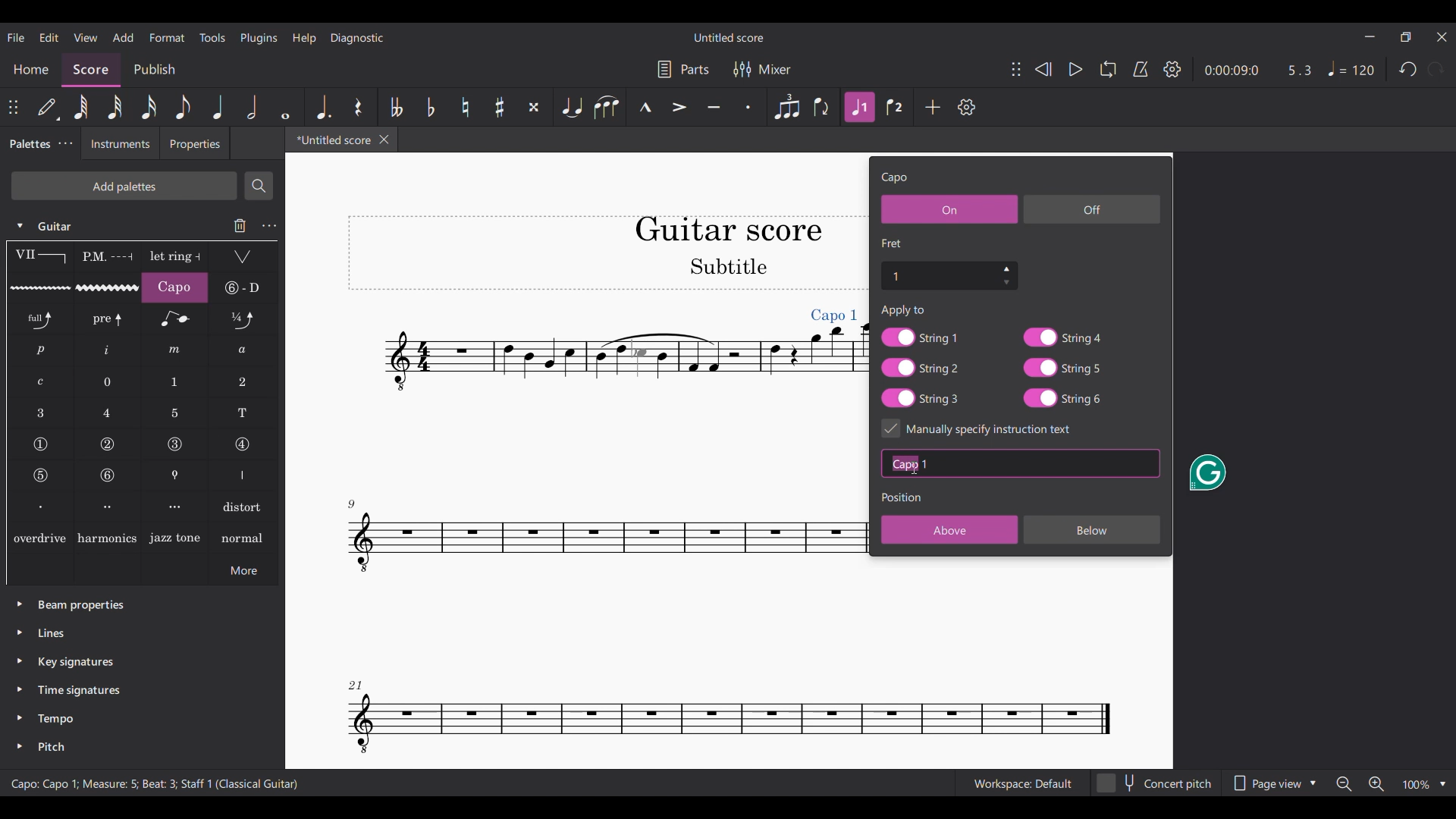  I want to click on Thumb position, so click(176, 475).